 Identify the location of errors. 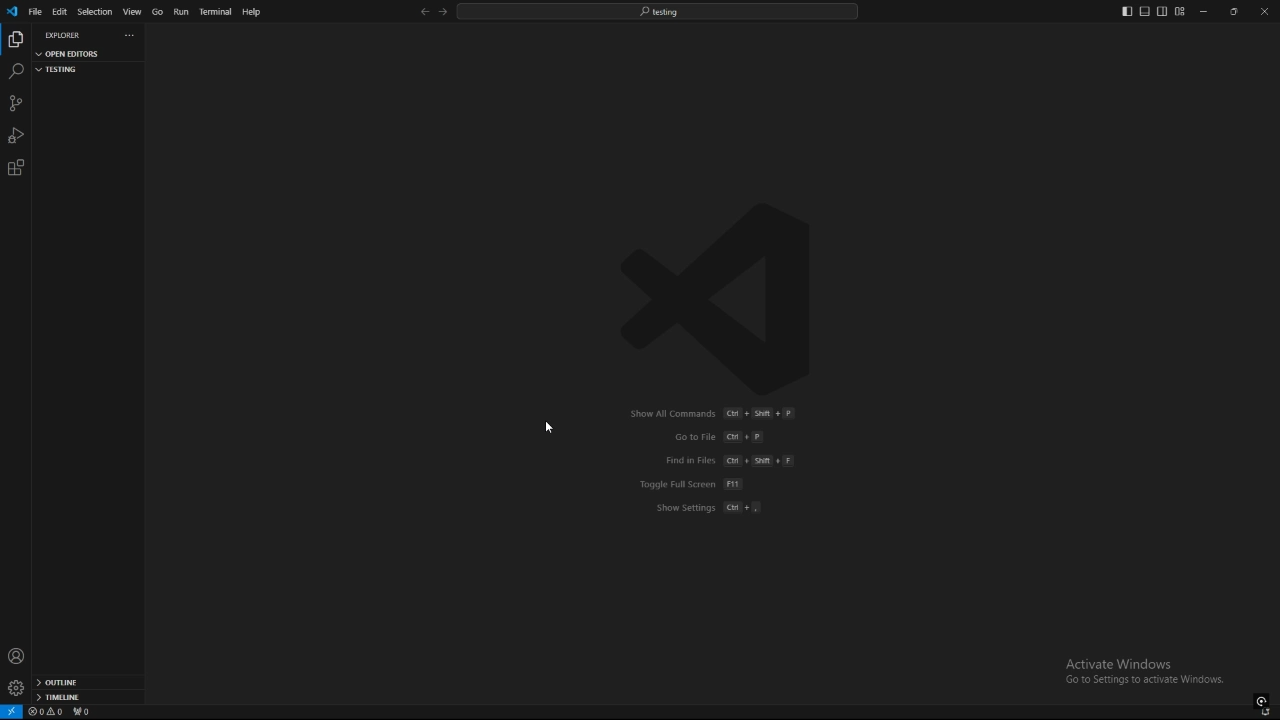
(46, 712).